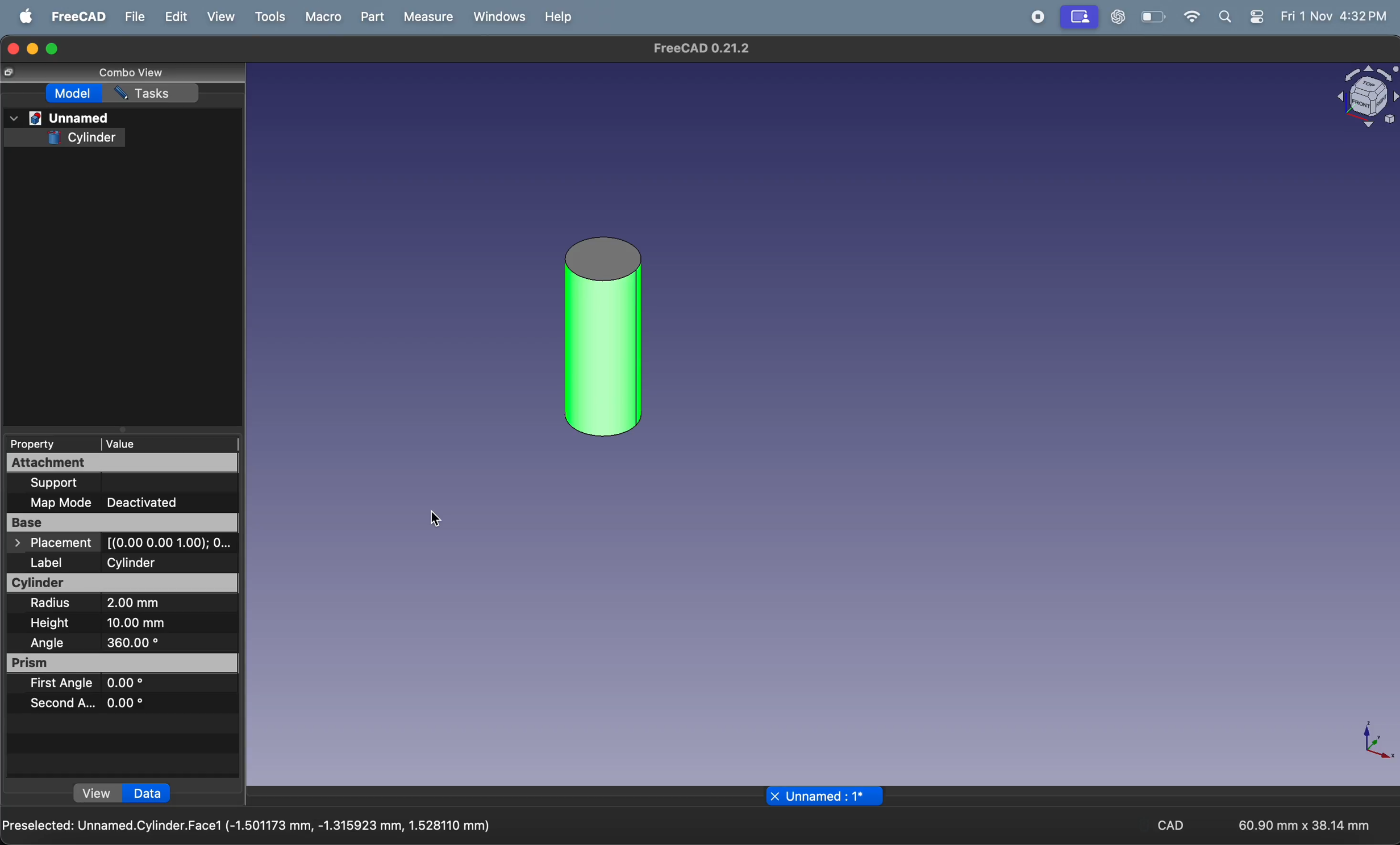 This screenshot has height=845, width=1400. I want to click on 60.90 mm x 38.14 mm, so click(1304, 825).